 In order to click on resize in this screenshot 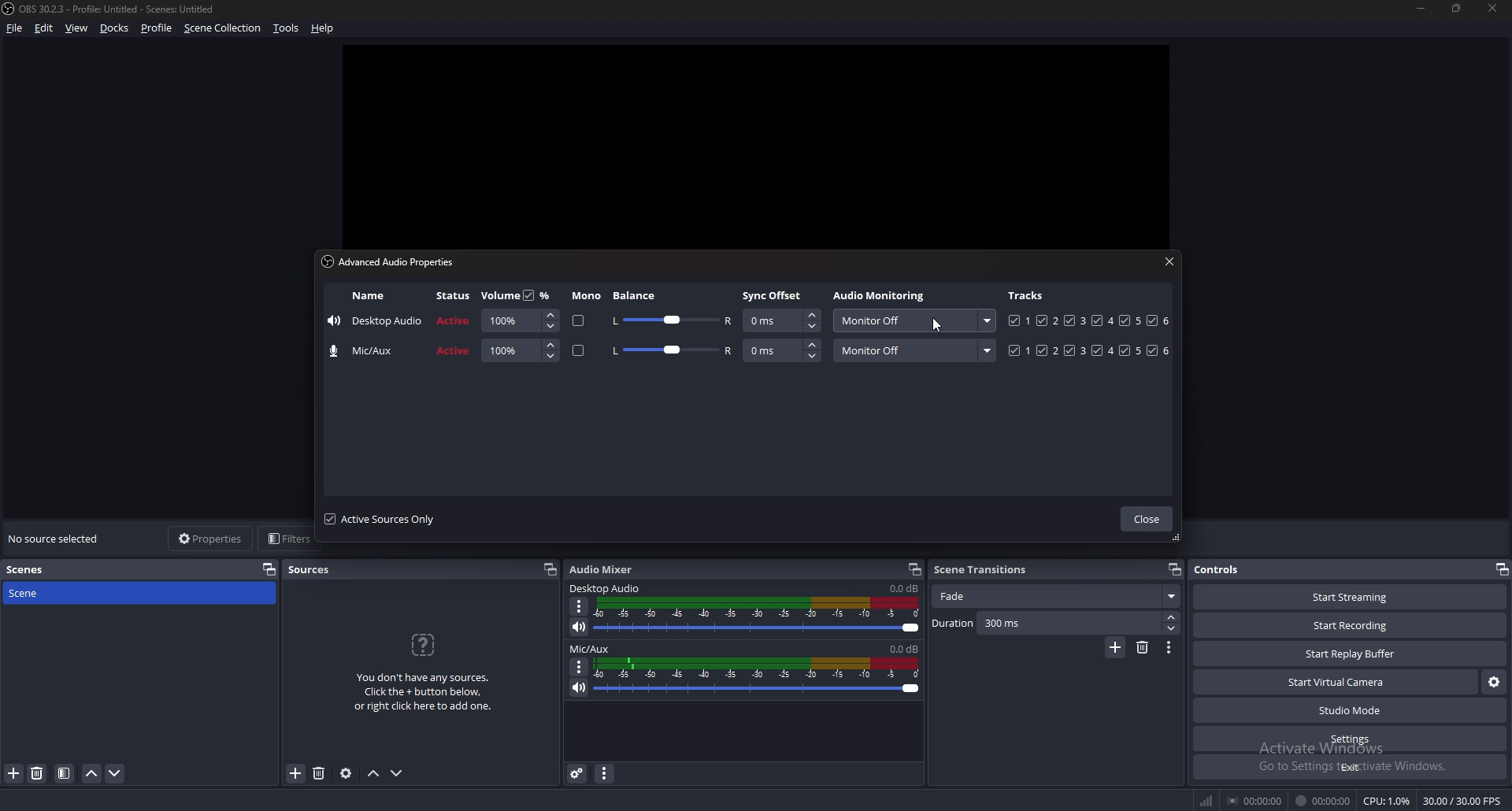, I will do `click(1457, 8)`.